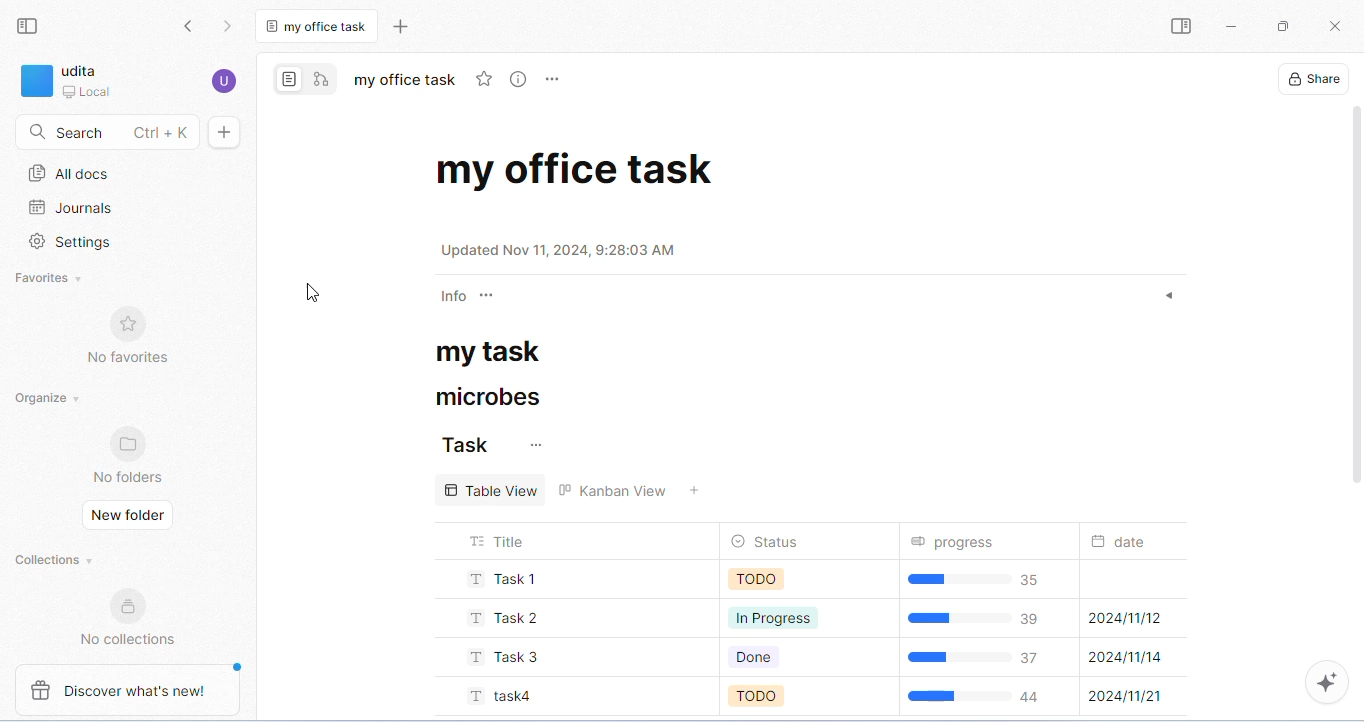  What do you see at coordinates (128, 332) in the screenshot?
I see `no favorites` at bounding box center [128, 332].